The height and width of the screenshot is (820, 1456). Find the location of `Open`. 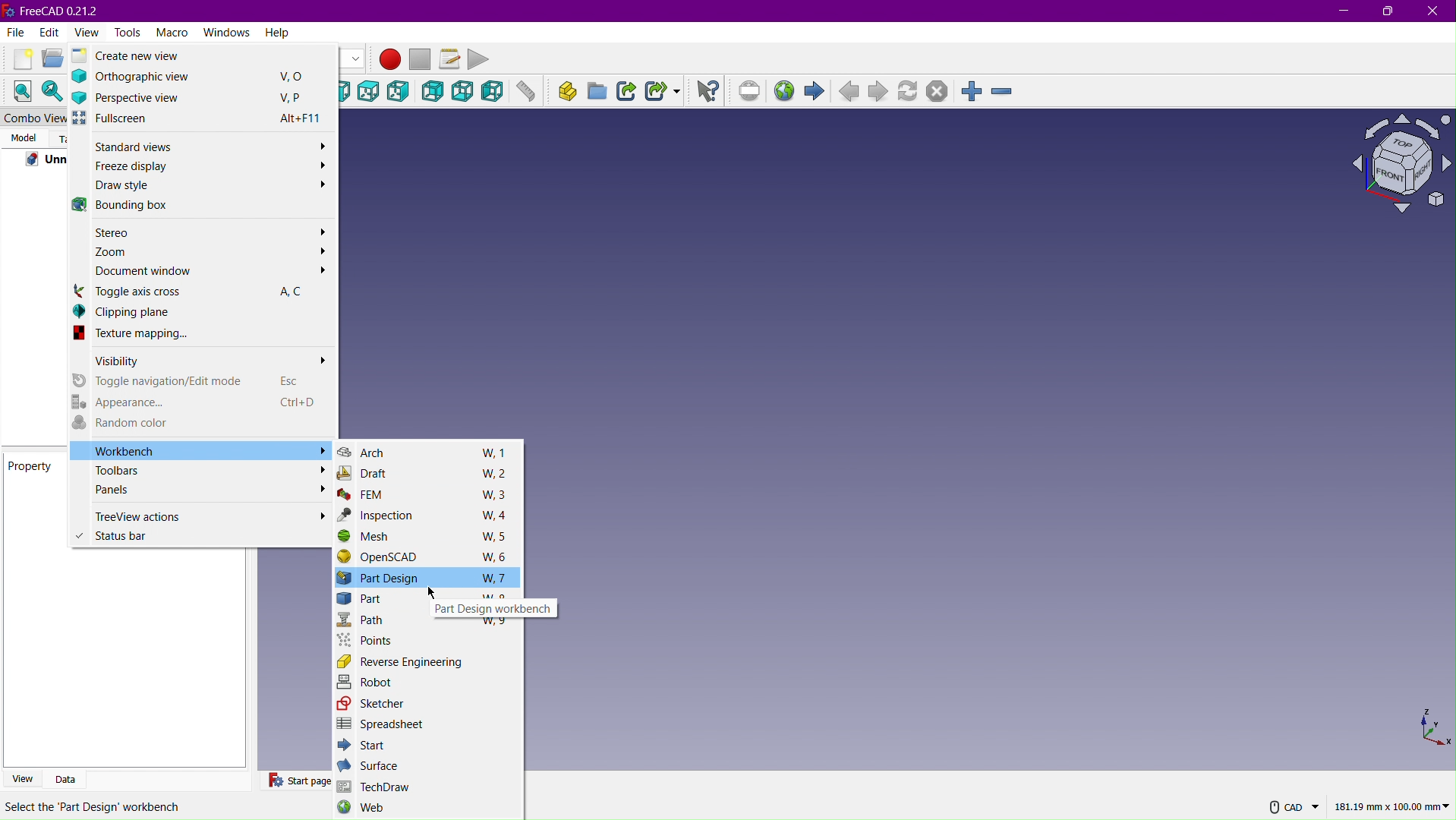

Open is located at coordinates (54, 59).